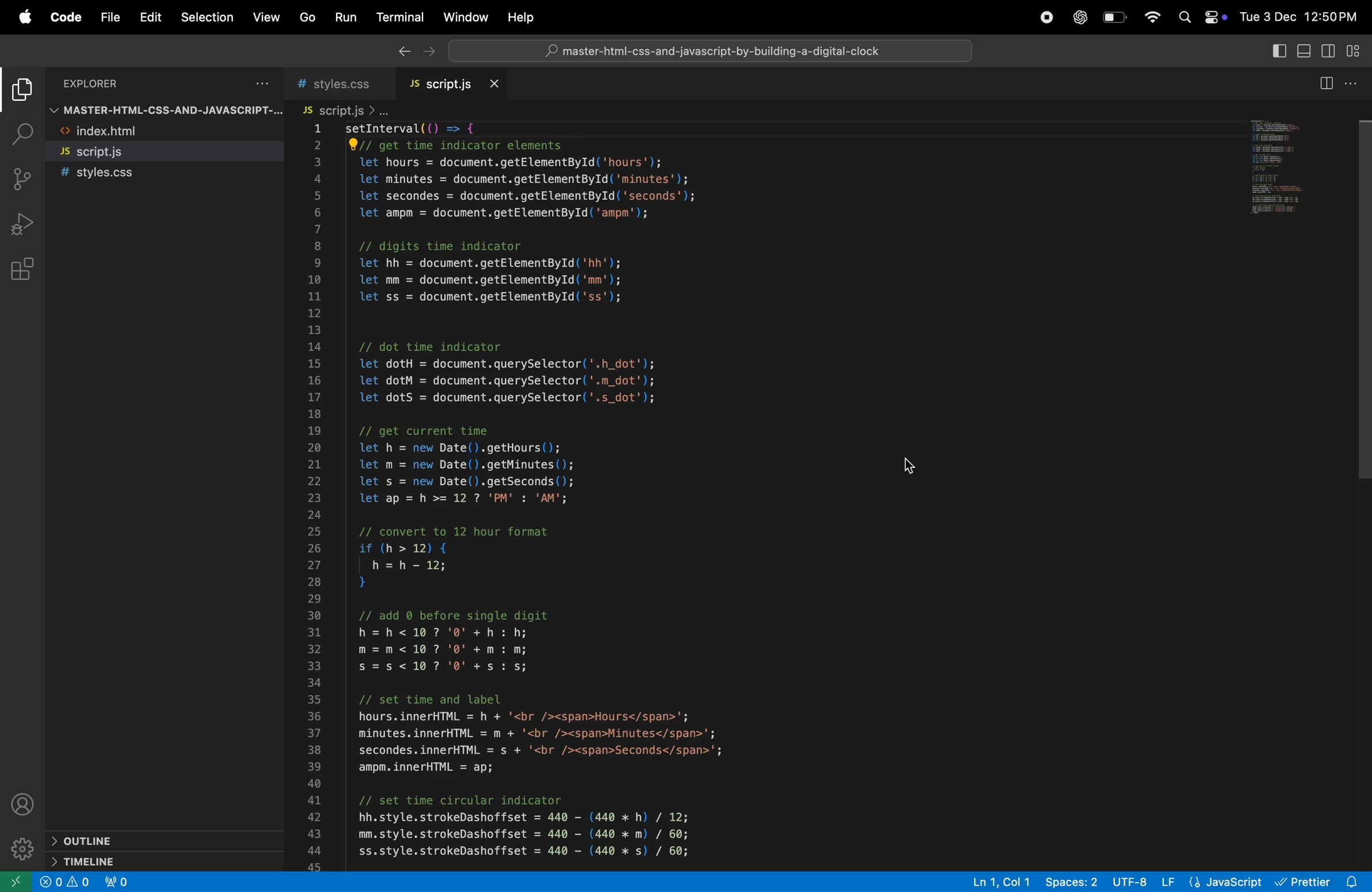  I want to click on terminal, so click(399, 17).